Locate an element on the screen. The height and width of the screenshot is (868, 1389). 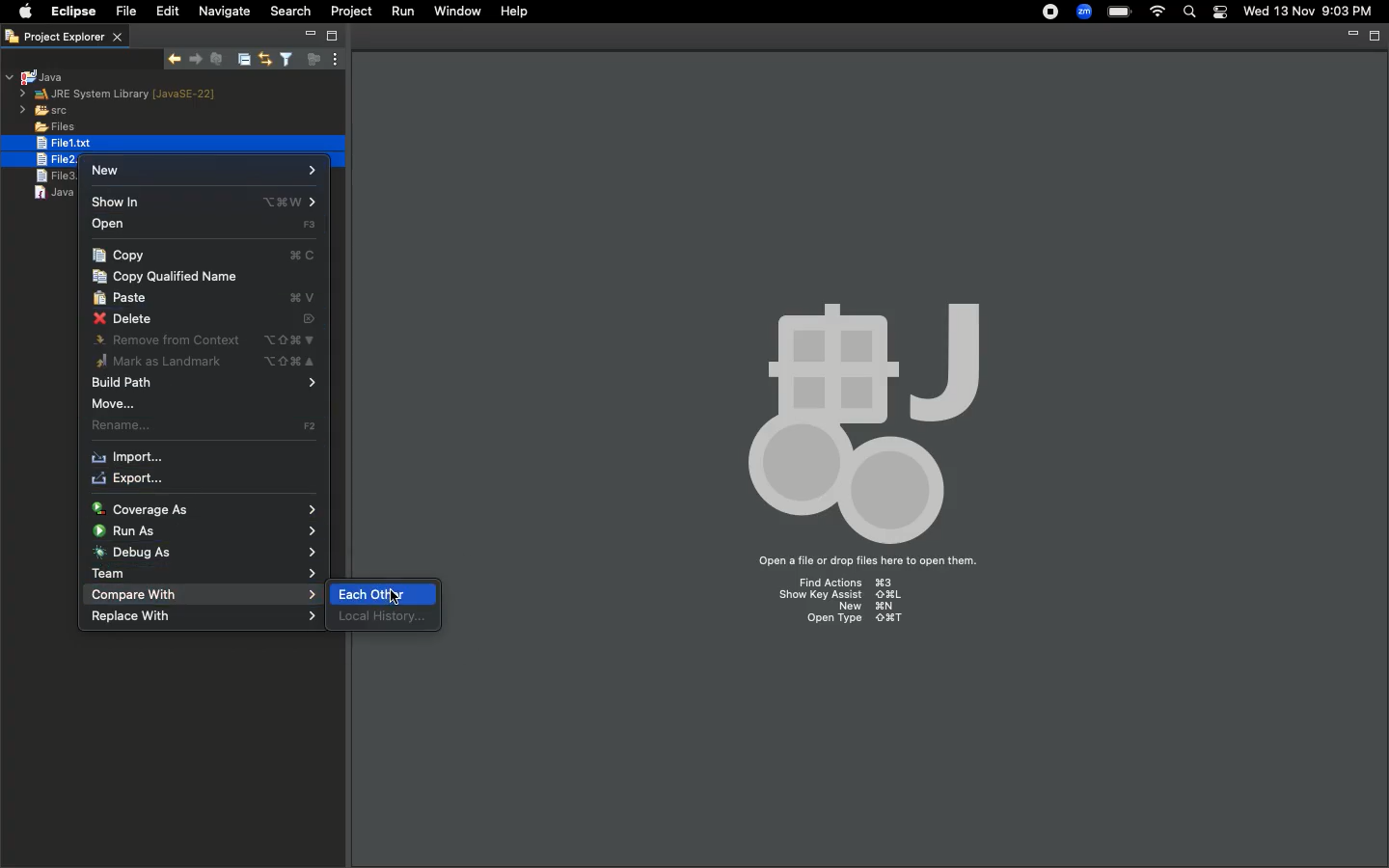
Import is located at coordinates (128, 456).